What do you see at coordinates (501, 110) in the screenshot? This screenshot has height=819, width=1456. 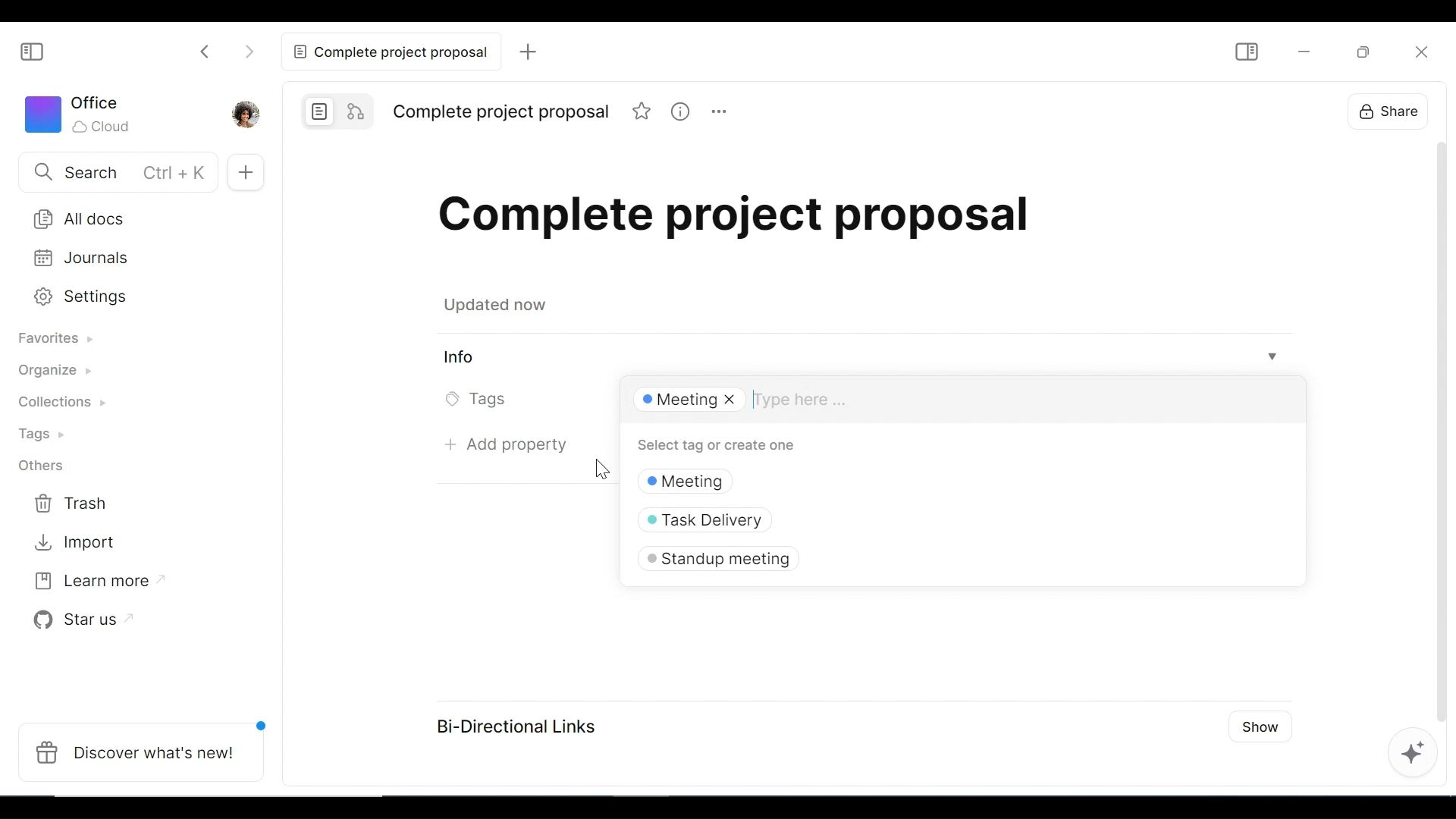 I see `Title` at bounding box center [501, 110].